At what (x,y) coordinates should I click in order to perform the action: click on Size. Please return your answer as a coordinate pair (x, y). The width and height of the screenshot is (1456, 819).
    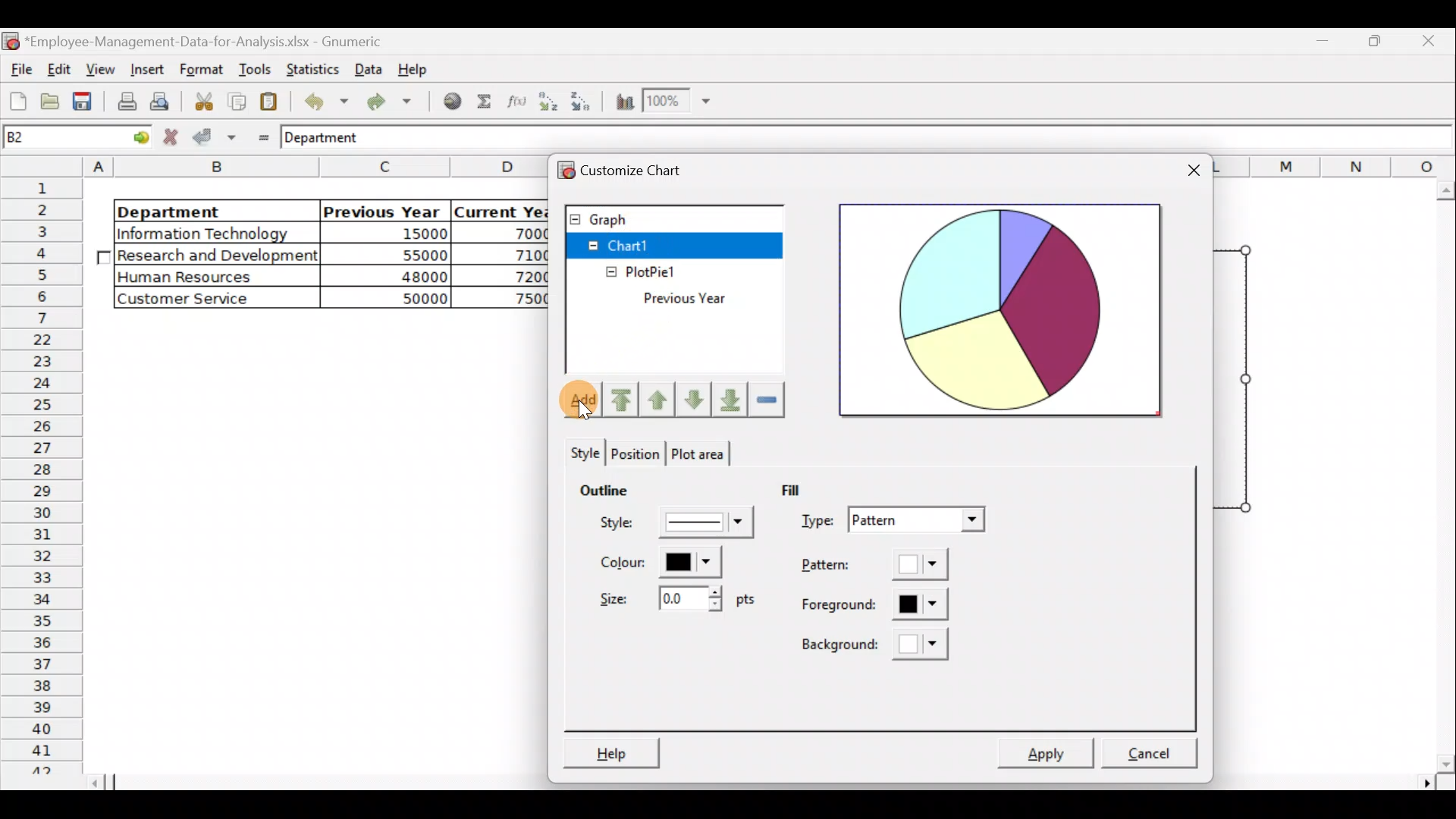
    Looking at the image, I should click on (674, 600).